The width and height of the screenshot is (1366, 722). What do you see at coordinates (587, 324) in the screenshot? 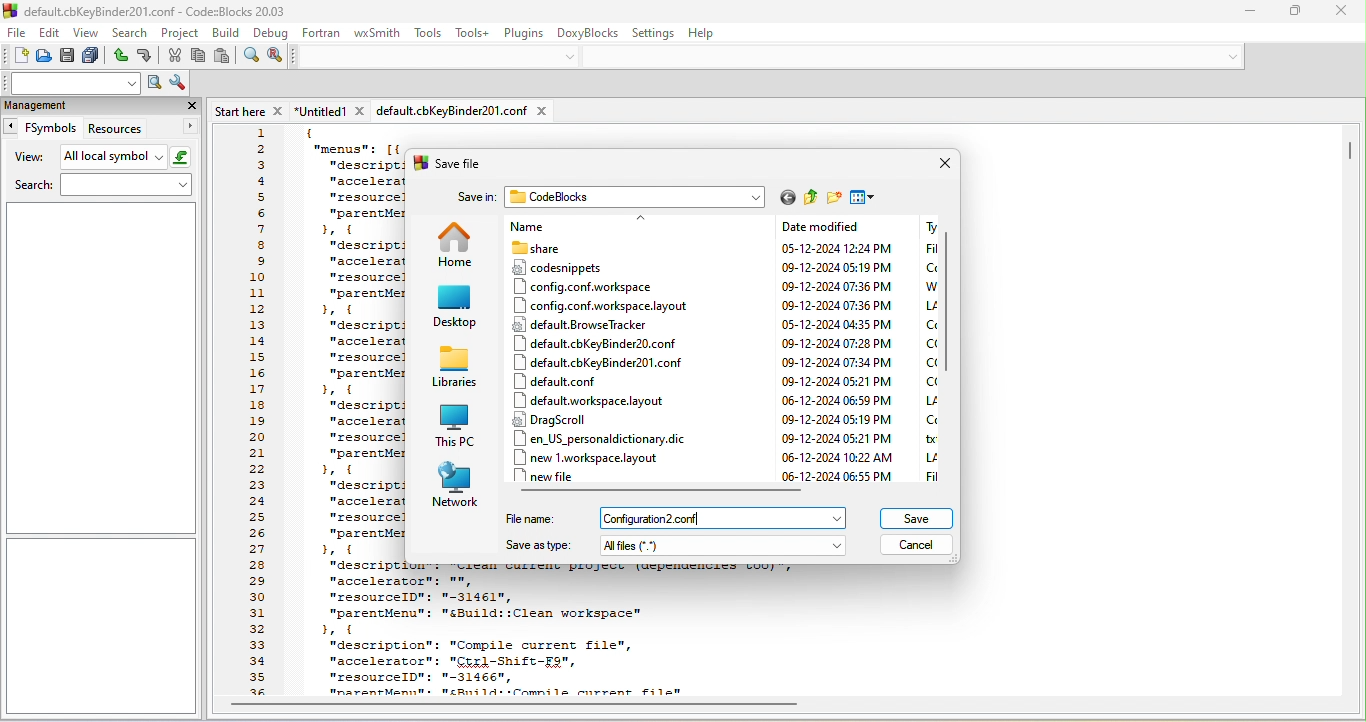
I see `default browse tracker` at bounding box center [587, 324].